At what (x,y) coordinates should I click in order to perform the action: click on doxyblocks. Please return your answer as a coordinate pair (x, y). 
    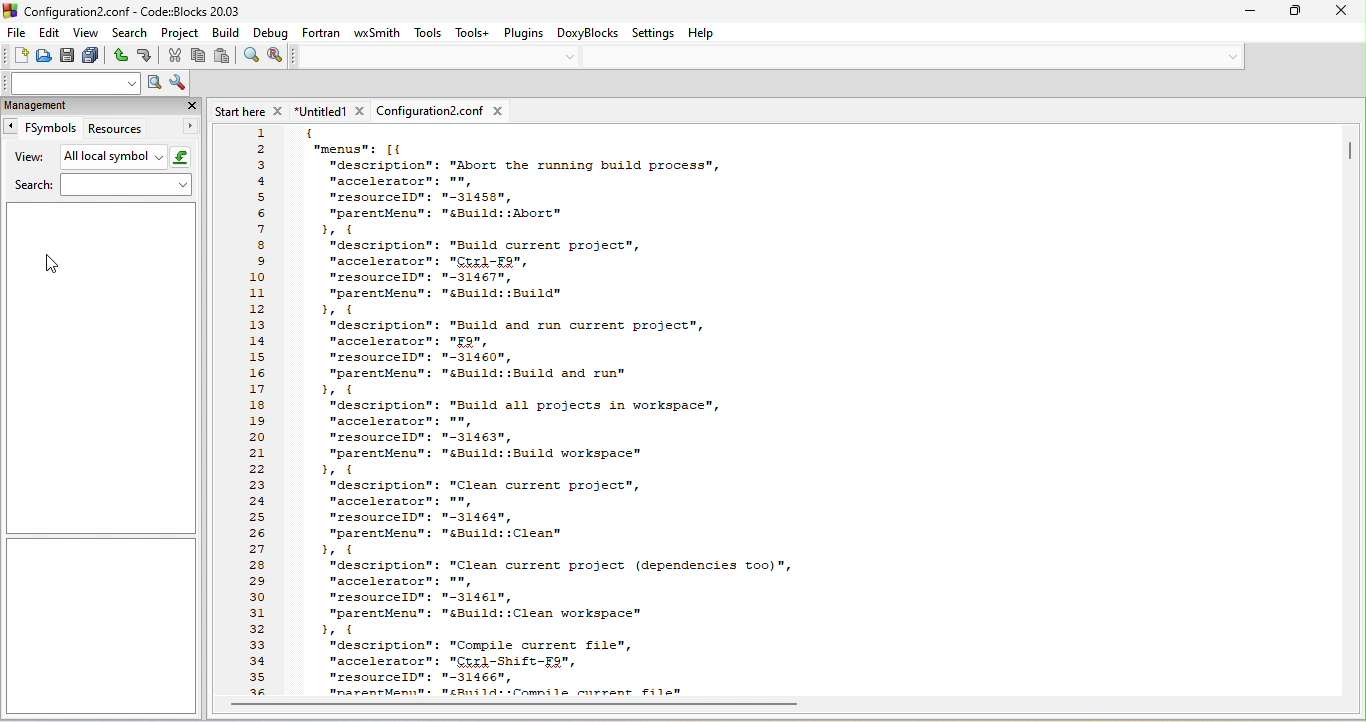
    Looking at the image, I should click on (588, 34).